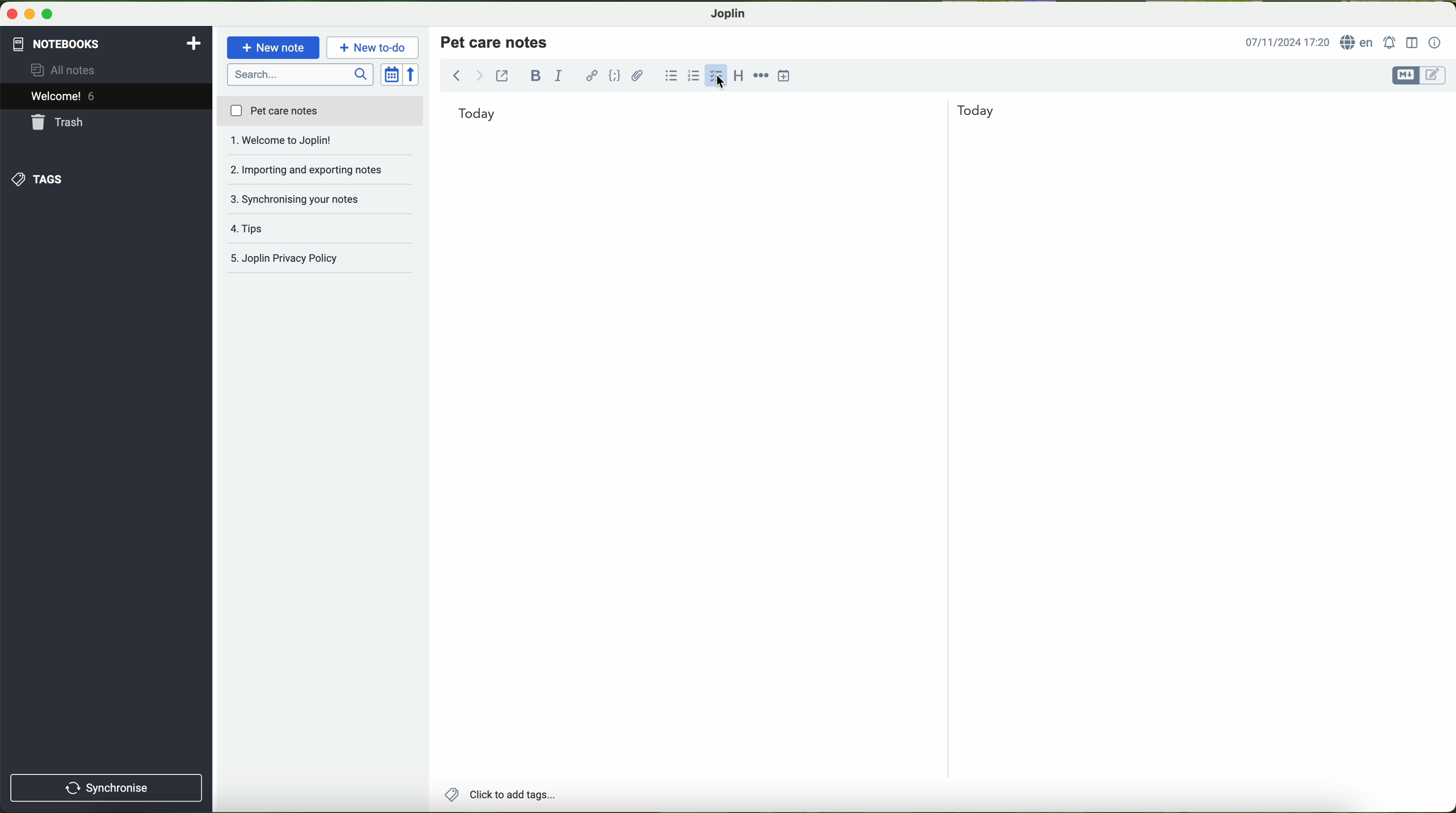 Image resolution: width=1456 pixels, height=813 pixels. What do you see at coordinates (1412, 42) in the screenshot?
I see `toggle editor layout` at bounding box center [1412, 42].